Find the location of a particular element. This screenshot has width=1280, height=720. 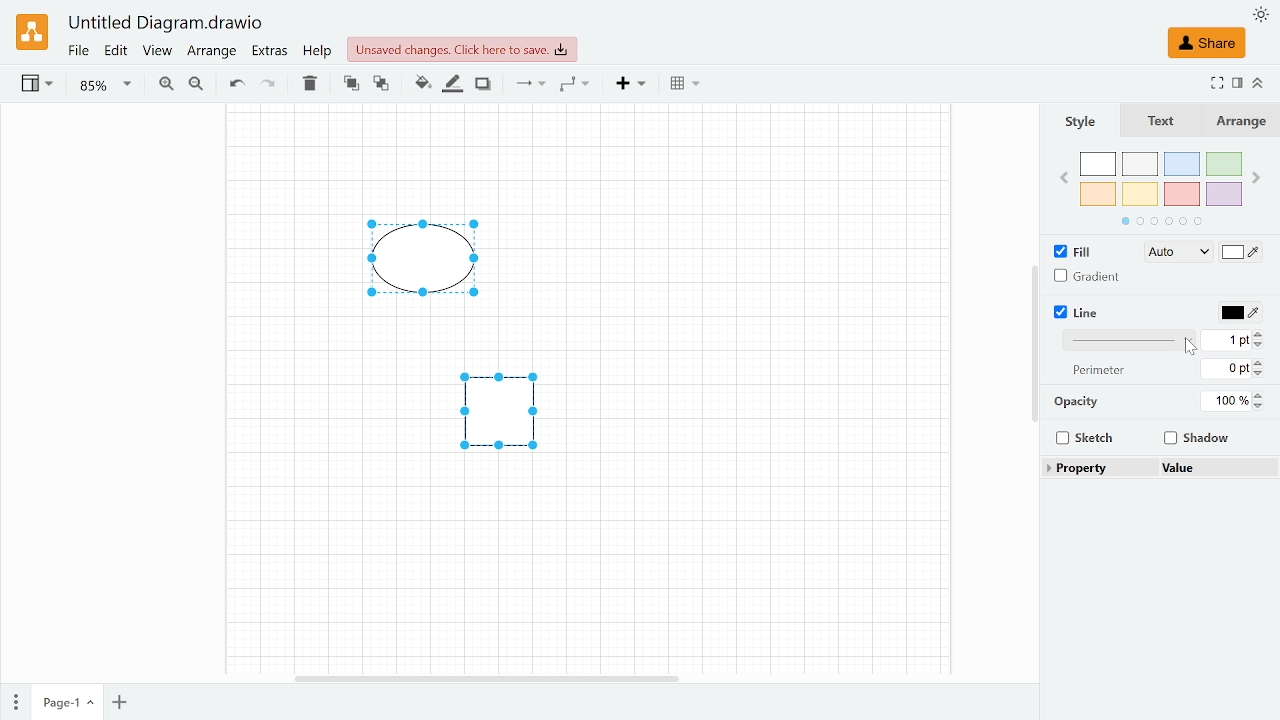

Value is located at coordinates (1188, 469).